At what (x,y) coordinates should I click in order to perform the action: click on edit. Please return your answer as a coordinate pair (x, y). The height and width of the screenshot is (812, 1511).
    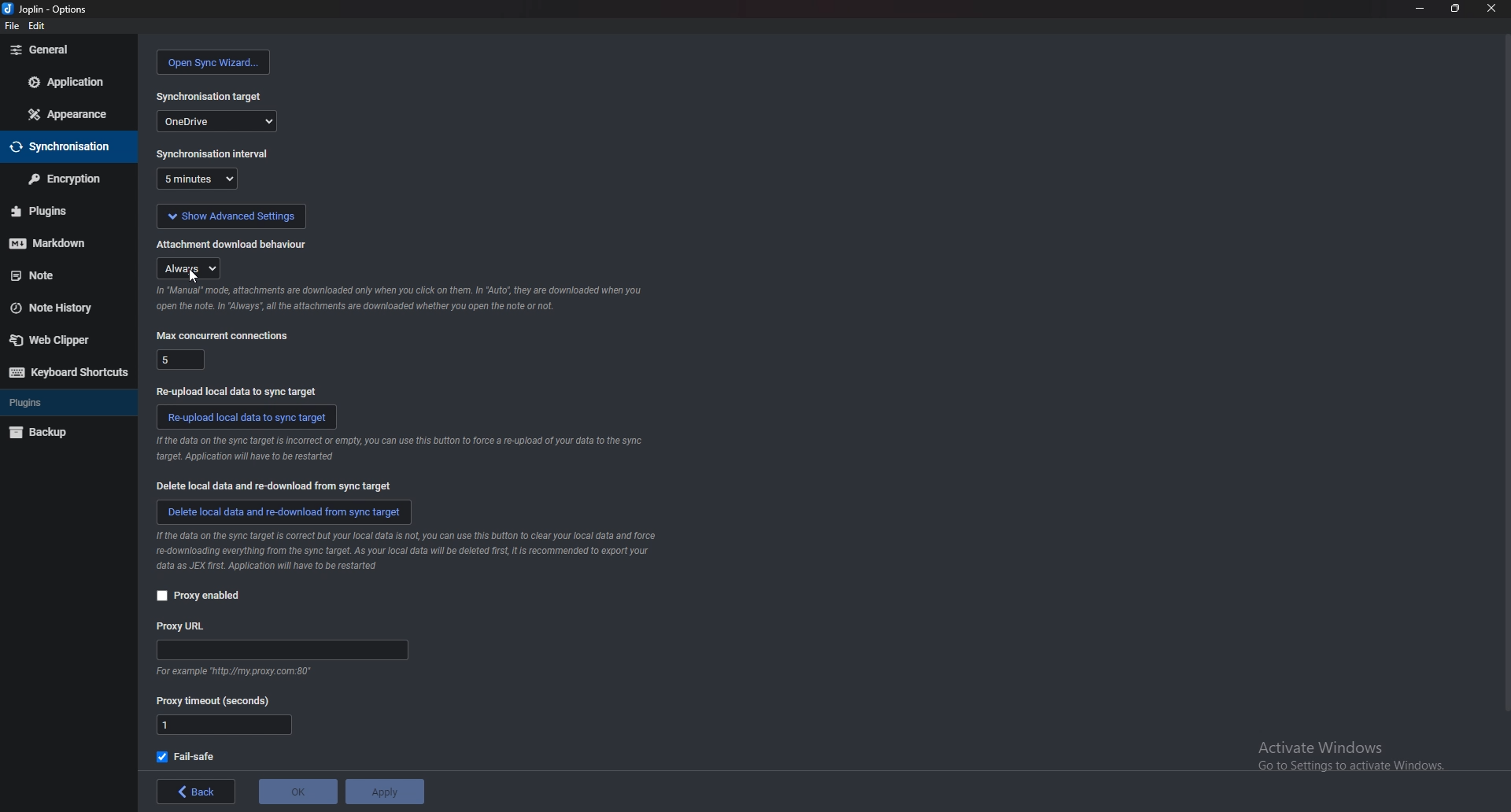
    Looking at the image, I should click on (36, 26).